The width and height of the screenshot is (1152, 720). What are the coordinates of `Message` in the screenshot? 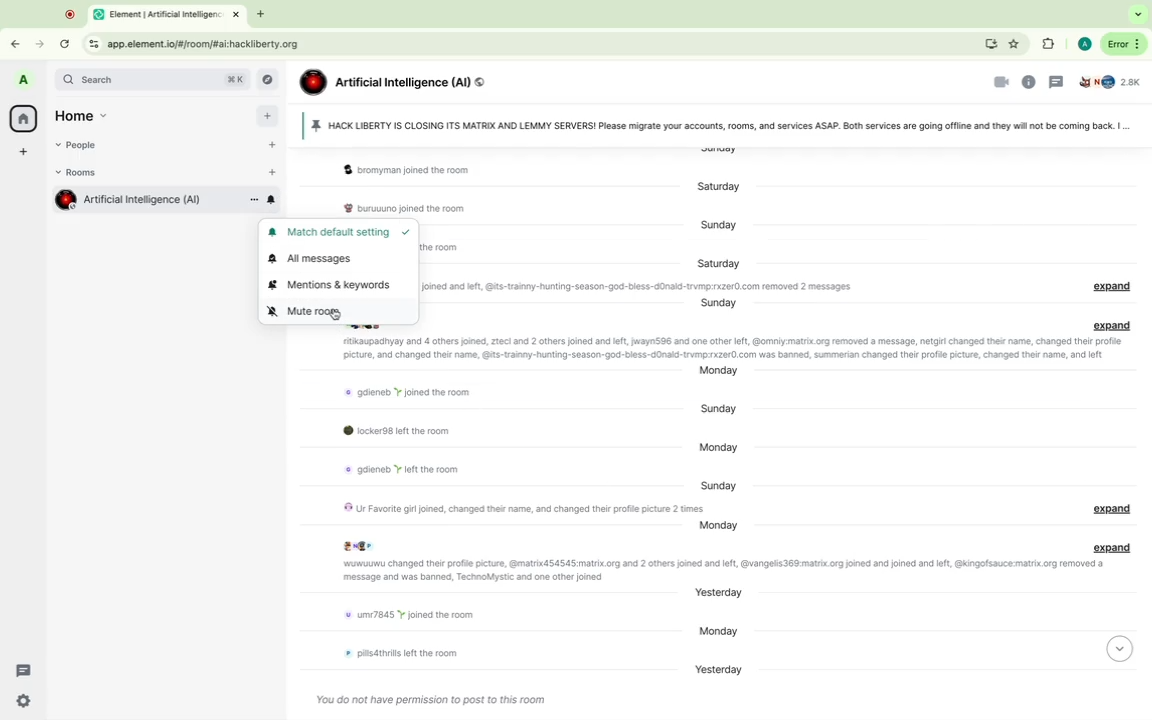 It's located at (393, 432).